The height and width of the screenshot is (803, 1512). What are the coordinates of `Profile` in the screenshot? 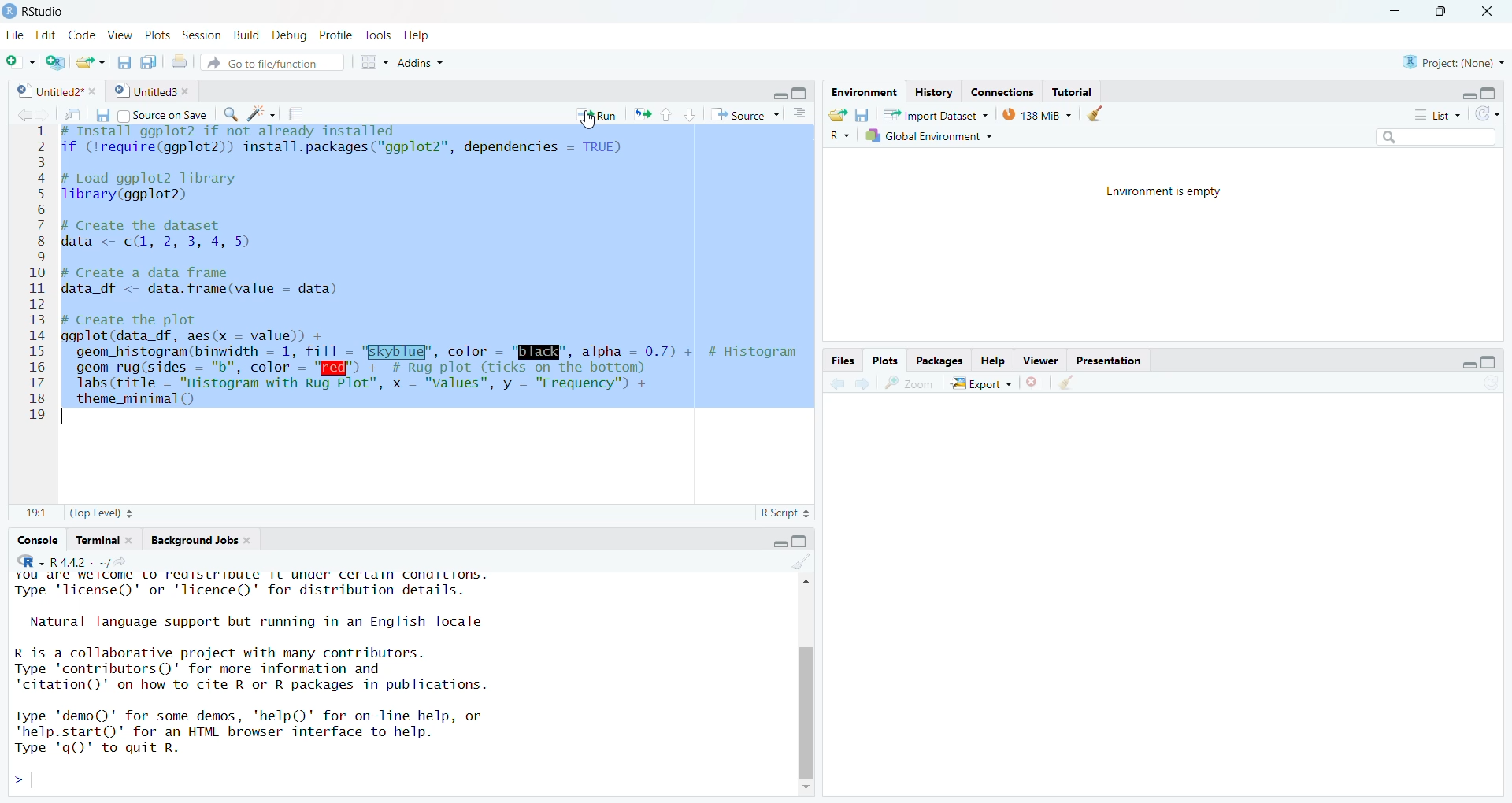 It's located at (336, 32).